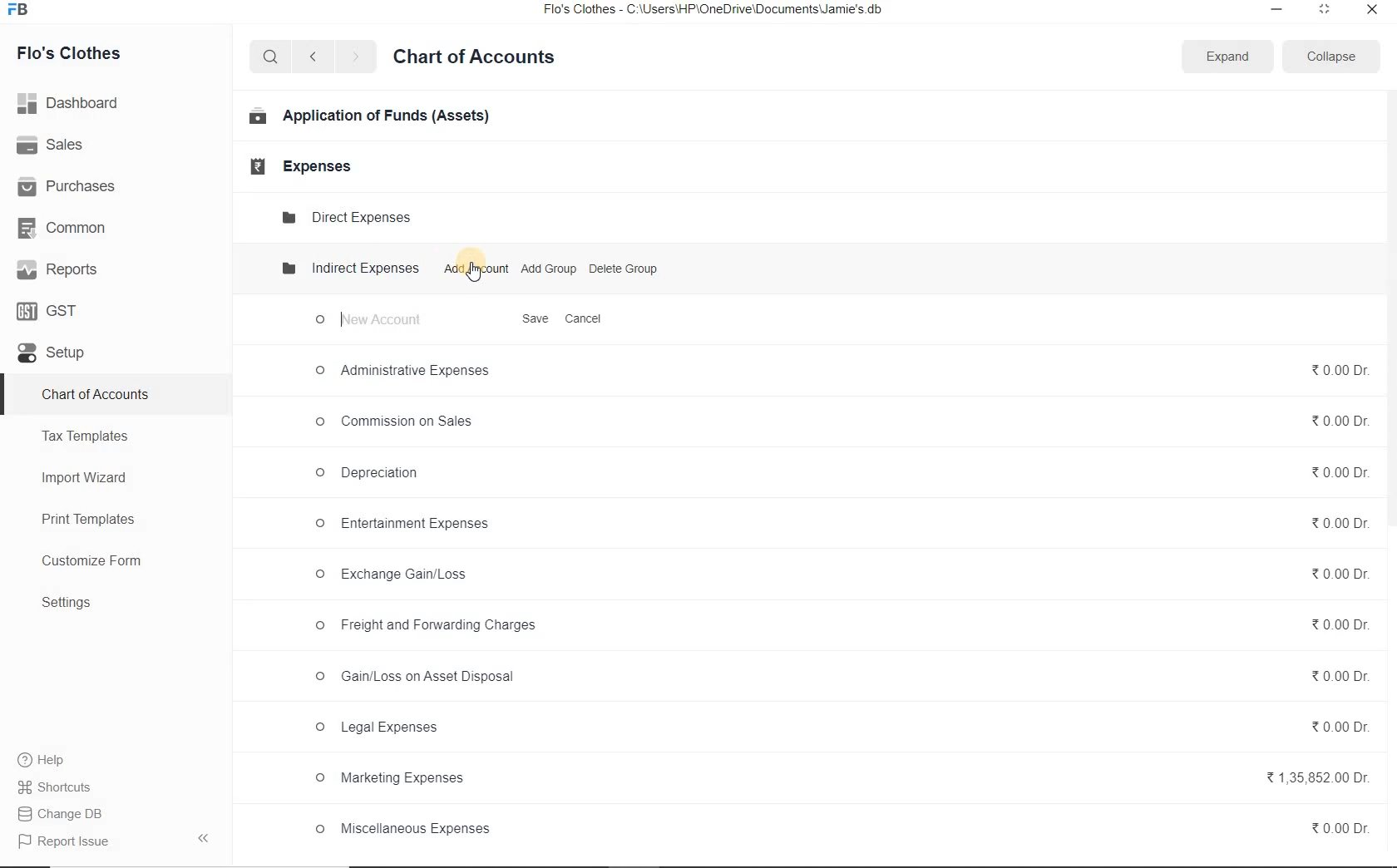 The width and height of the screenshot is (1397, 868). Describe the element at coordinates (1277, 11) in the screenshot. I see `minimize` at that location.